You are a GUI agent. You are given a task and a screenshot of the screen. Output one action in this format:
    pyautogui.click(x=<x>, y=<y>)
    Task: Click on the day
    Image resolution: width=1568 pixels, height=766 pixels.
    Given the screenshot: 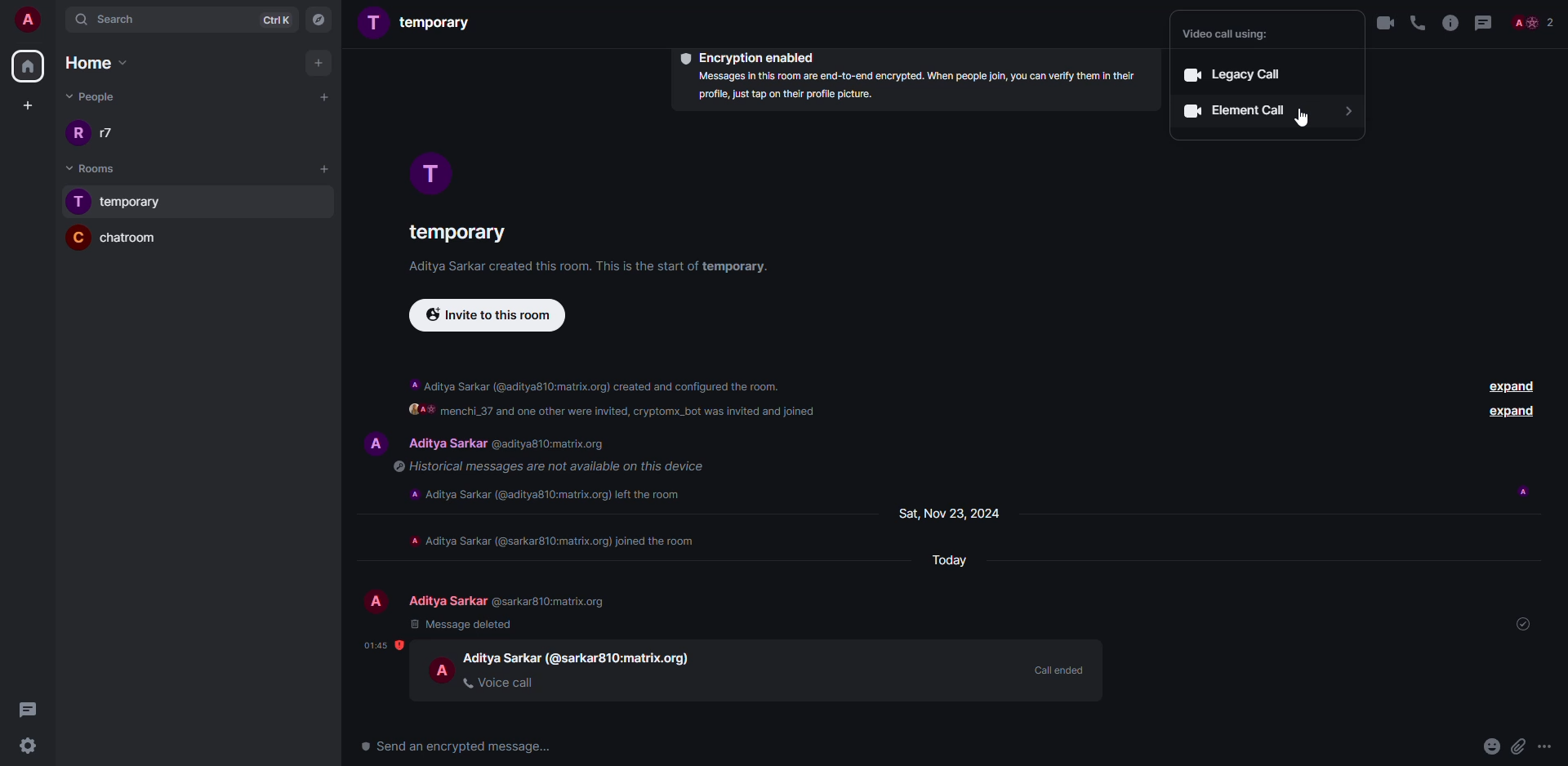 What is the action you would take?
    pyautogui.click(x=945, y=559)
    